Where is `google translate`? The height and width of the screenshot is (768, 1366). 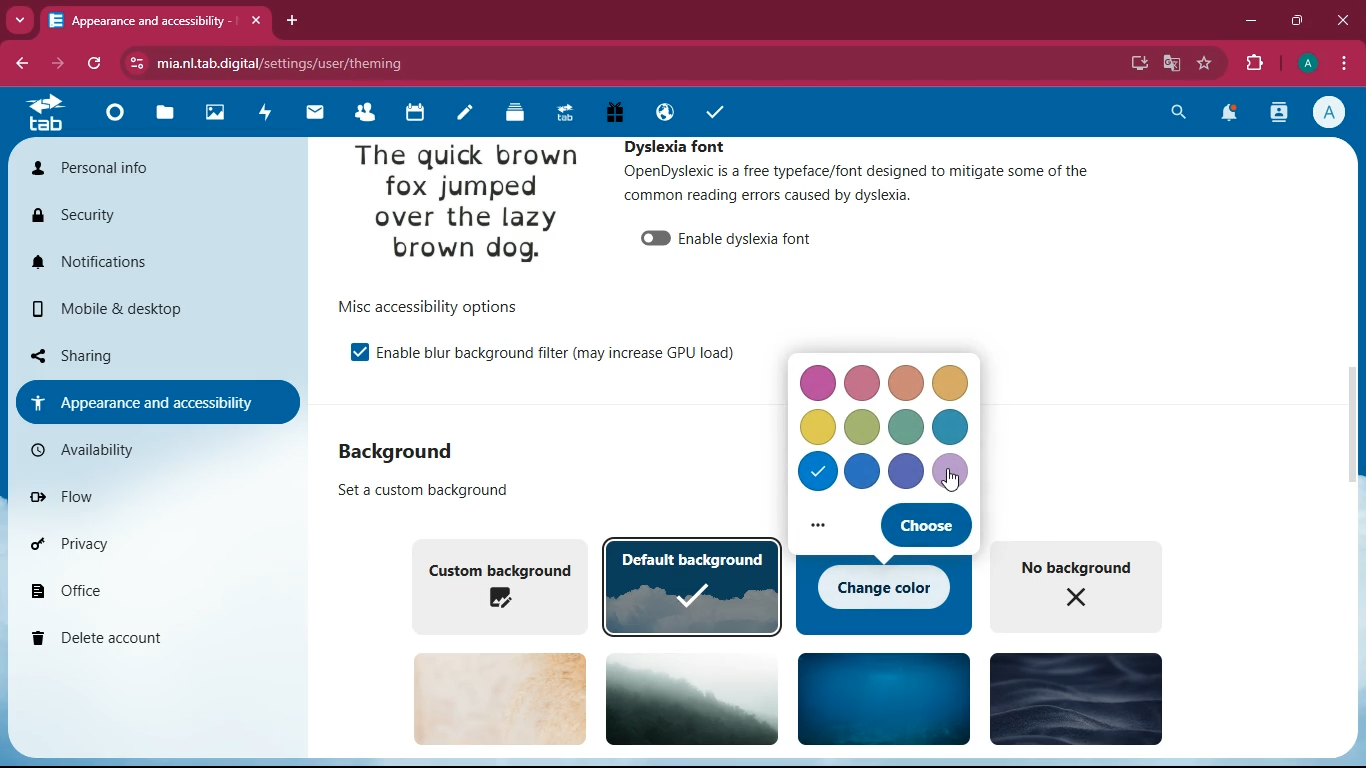 google translate is located at coordinates (1171, 61).